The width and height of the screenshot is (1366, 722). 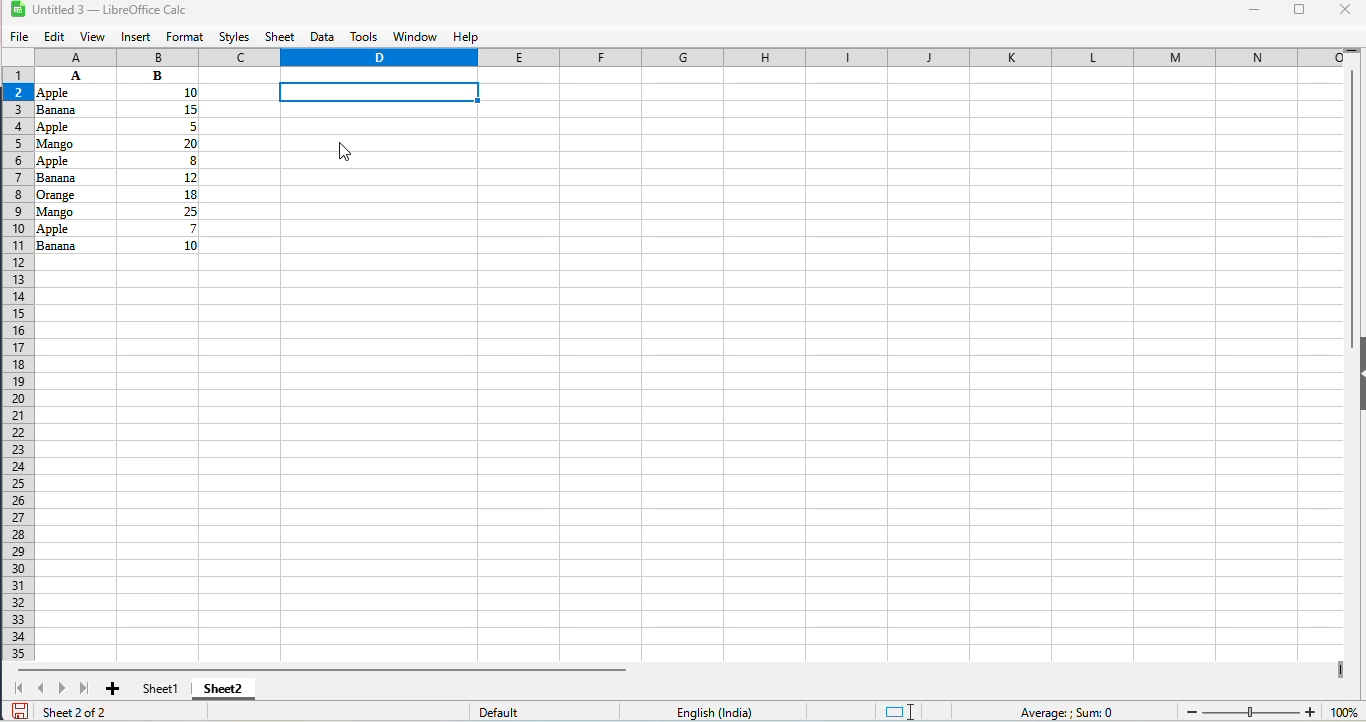 What do you see at coordinates (1353, 210) in the screenshot?
I see `vertical scroll bar` at bounding box center [1353, 210].